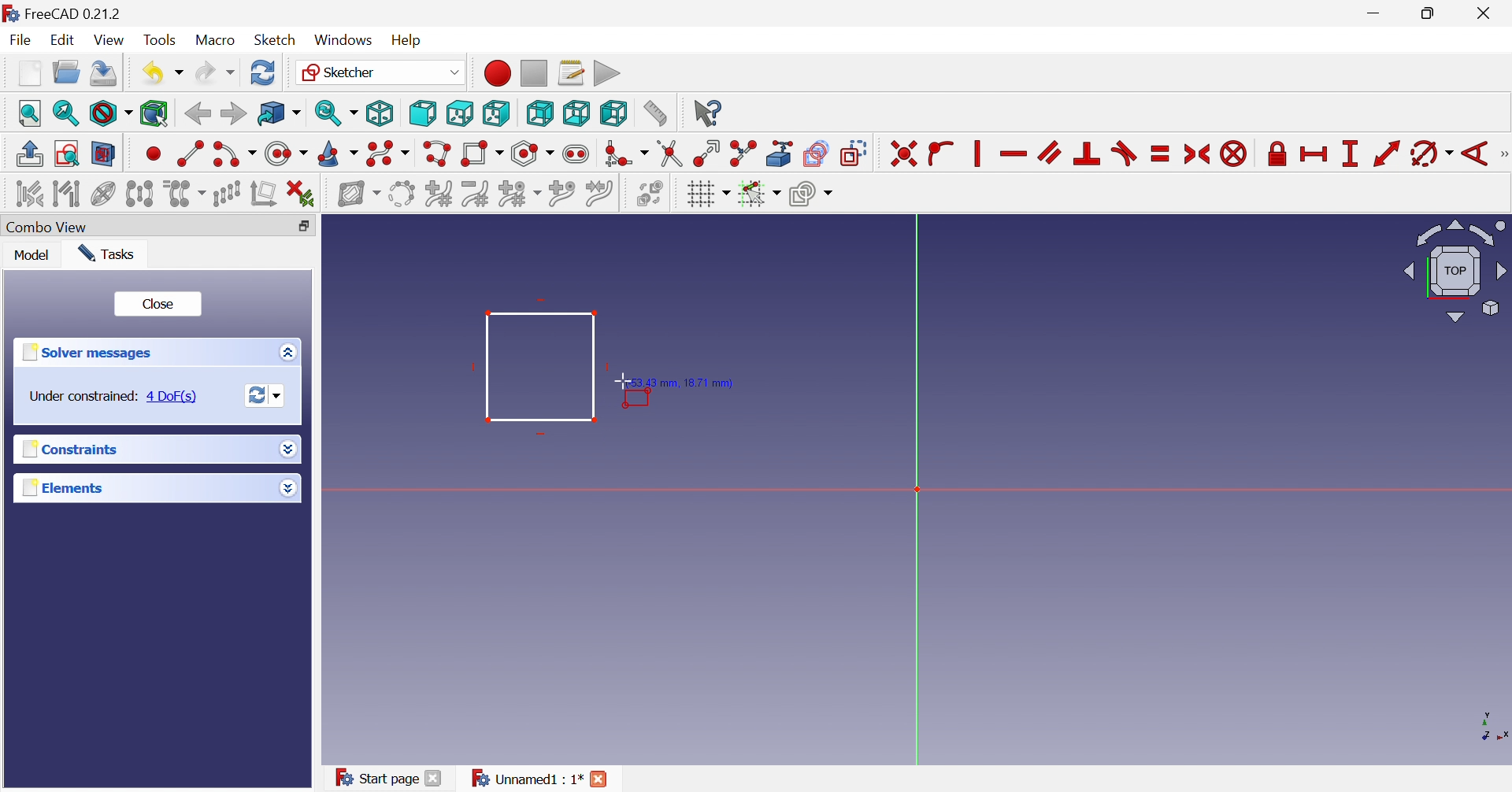 This screenshot has width=1512, height=792. What do you see at coordinates (706, 154) in the screenshot?
I see `Extend edge` at bounding box center [706, 154].